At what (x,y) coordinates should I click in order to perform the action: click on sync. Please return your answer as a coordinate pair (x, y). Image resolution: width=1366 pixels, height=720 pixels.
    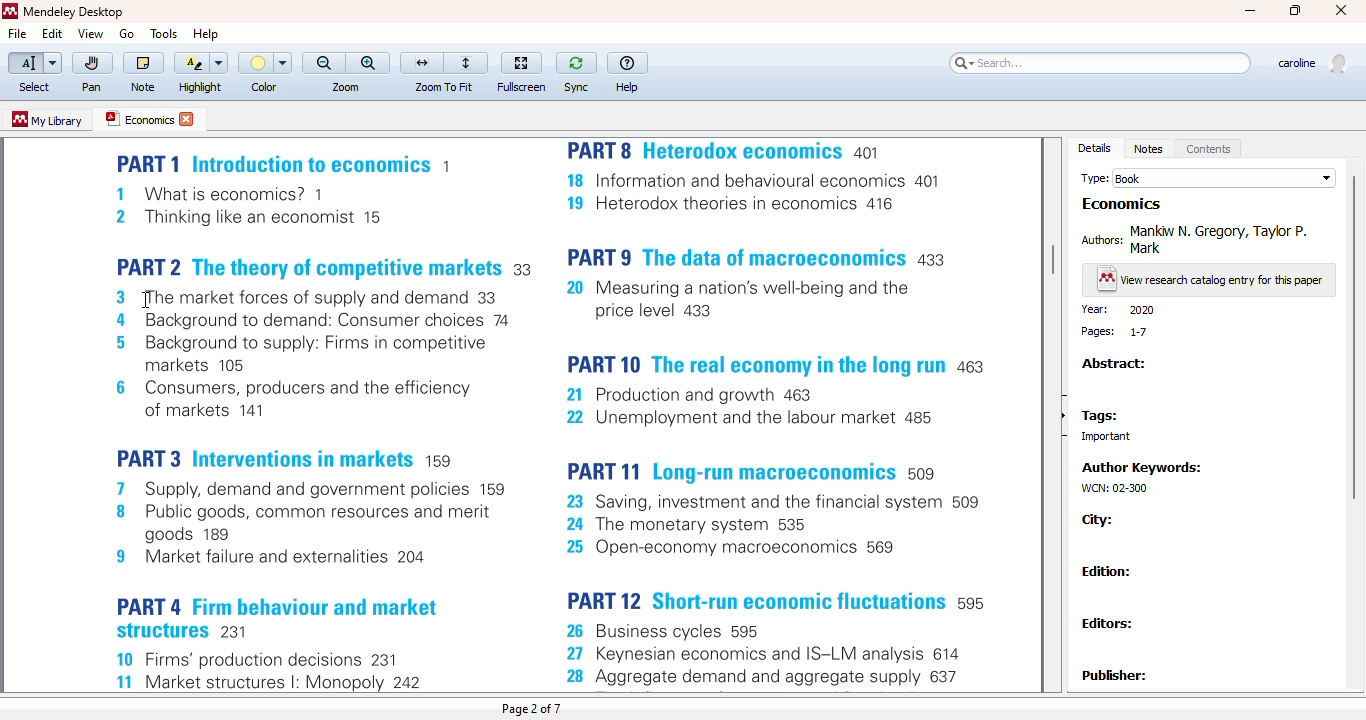
    Looking at the image, I should click on (577, 64).